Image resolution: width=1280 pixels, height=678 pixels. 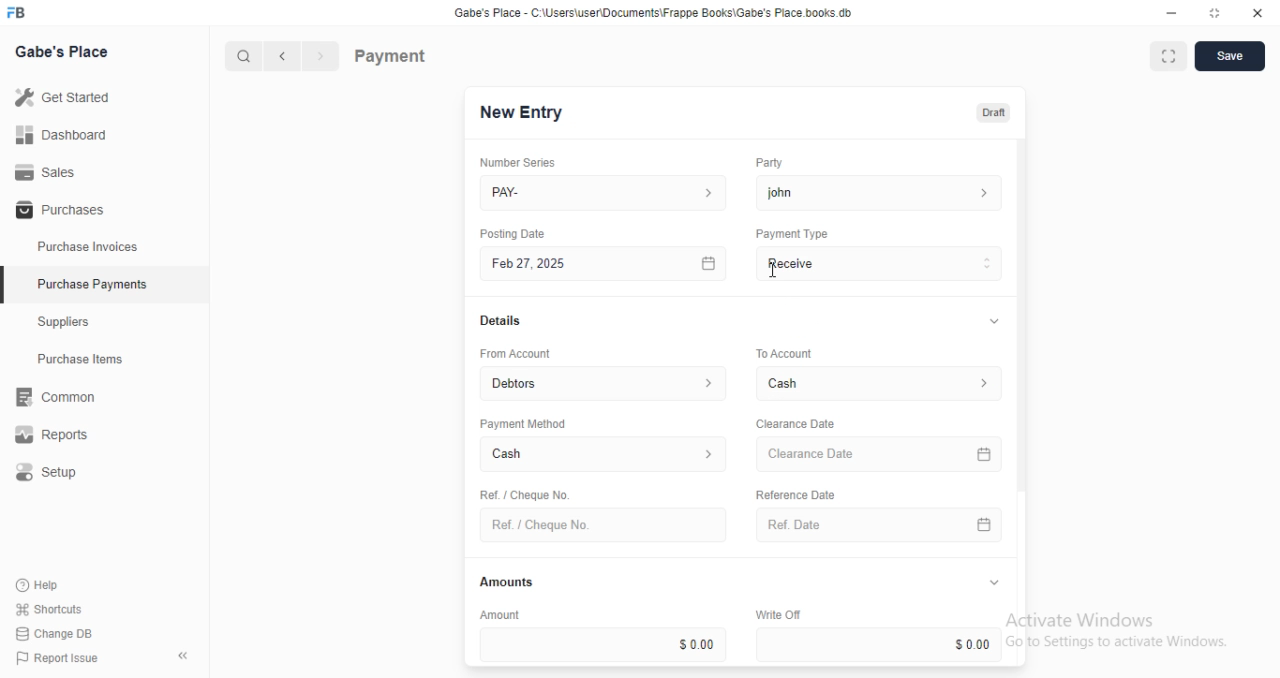 I want to click on close, so click(x=1258, y=13).